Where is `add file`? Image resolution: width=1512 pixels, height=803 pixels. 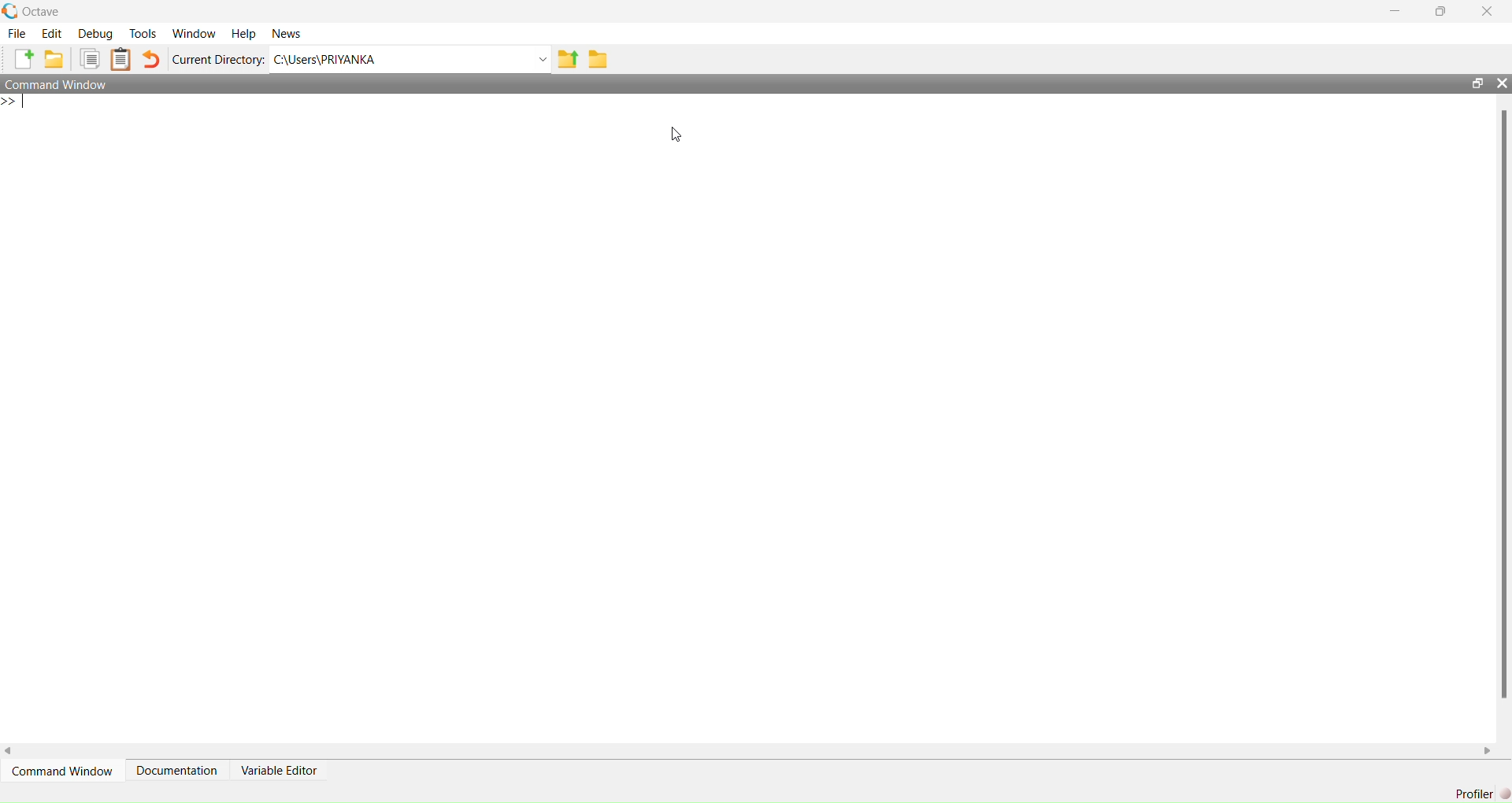 add file is located at coordinates (25, 59).